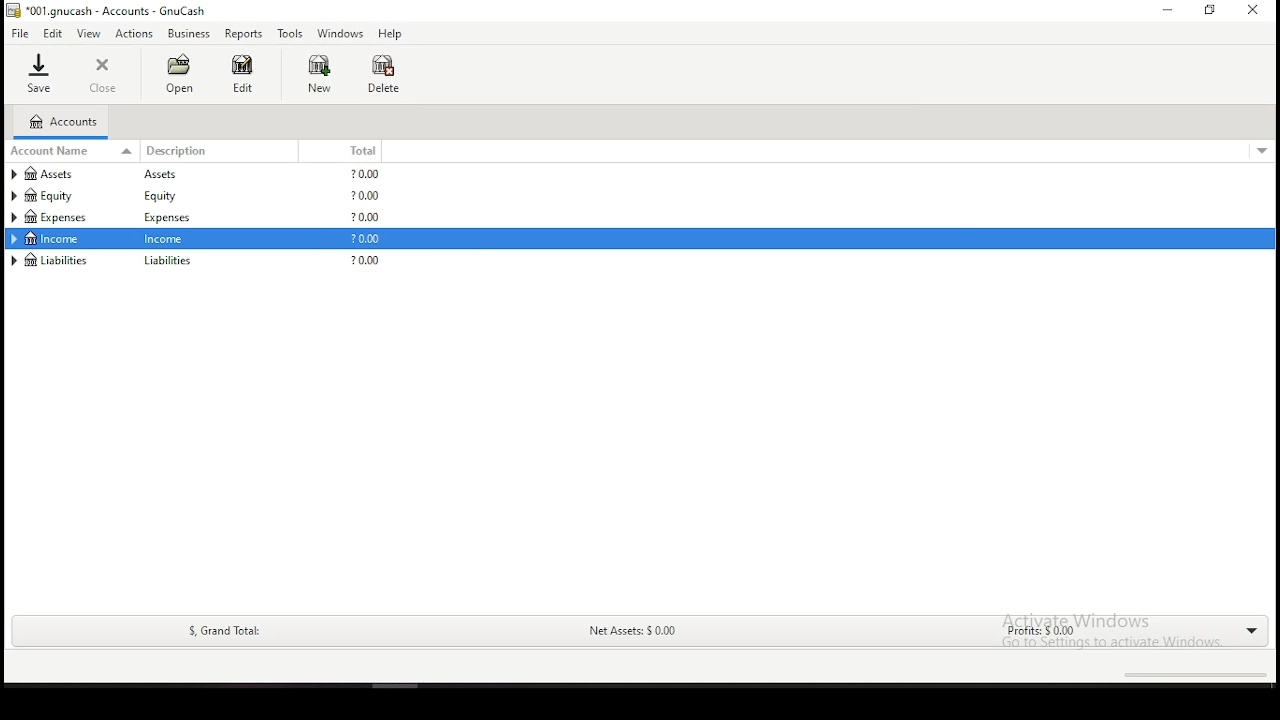  Describe the element at coordinates (135, 34) in the screenshot. I see `actions` at that location.